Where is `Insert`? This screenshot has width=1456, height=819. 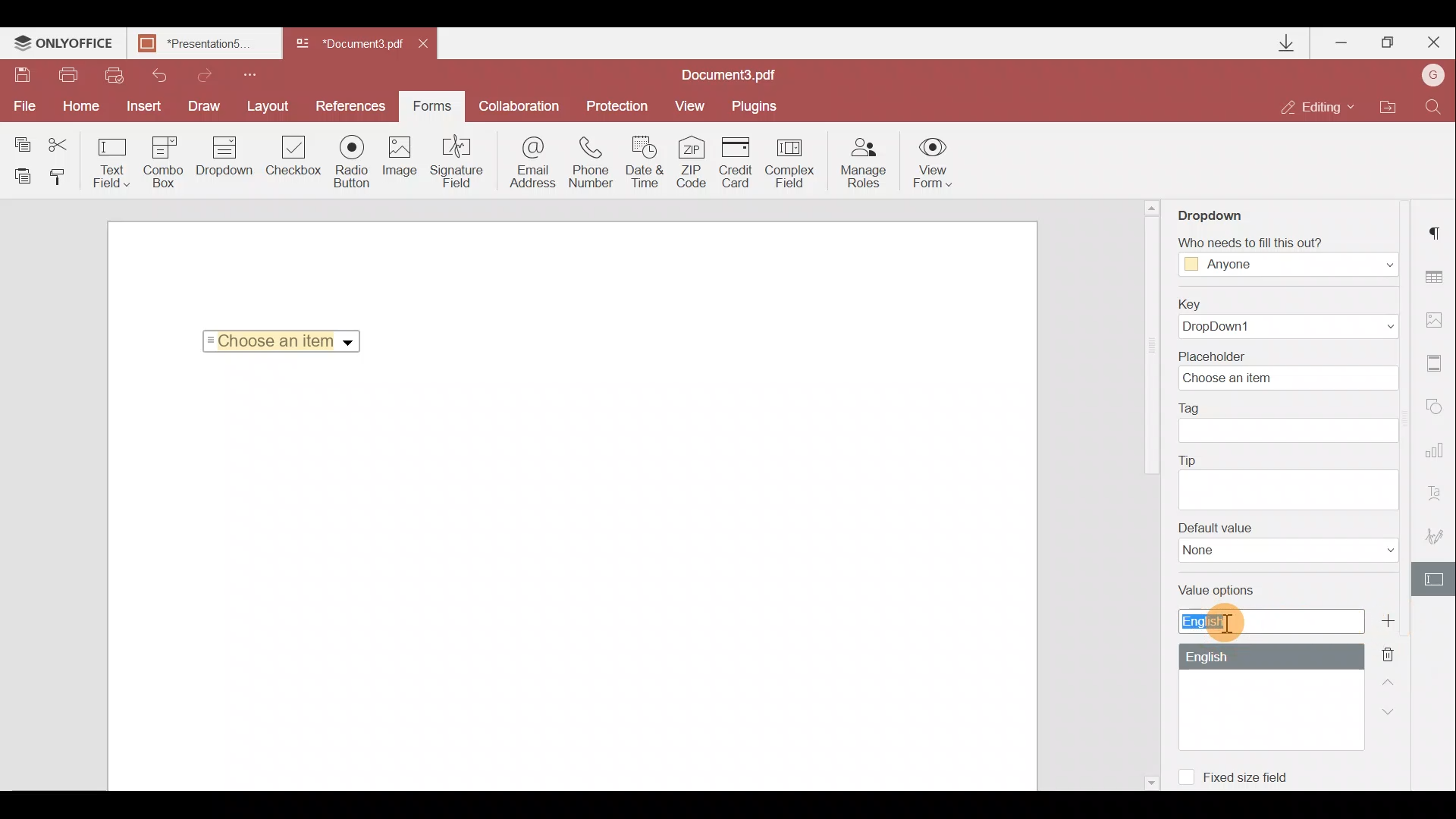 Insert is located at coordinates (140, 103).